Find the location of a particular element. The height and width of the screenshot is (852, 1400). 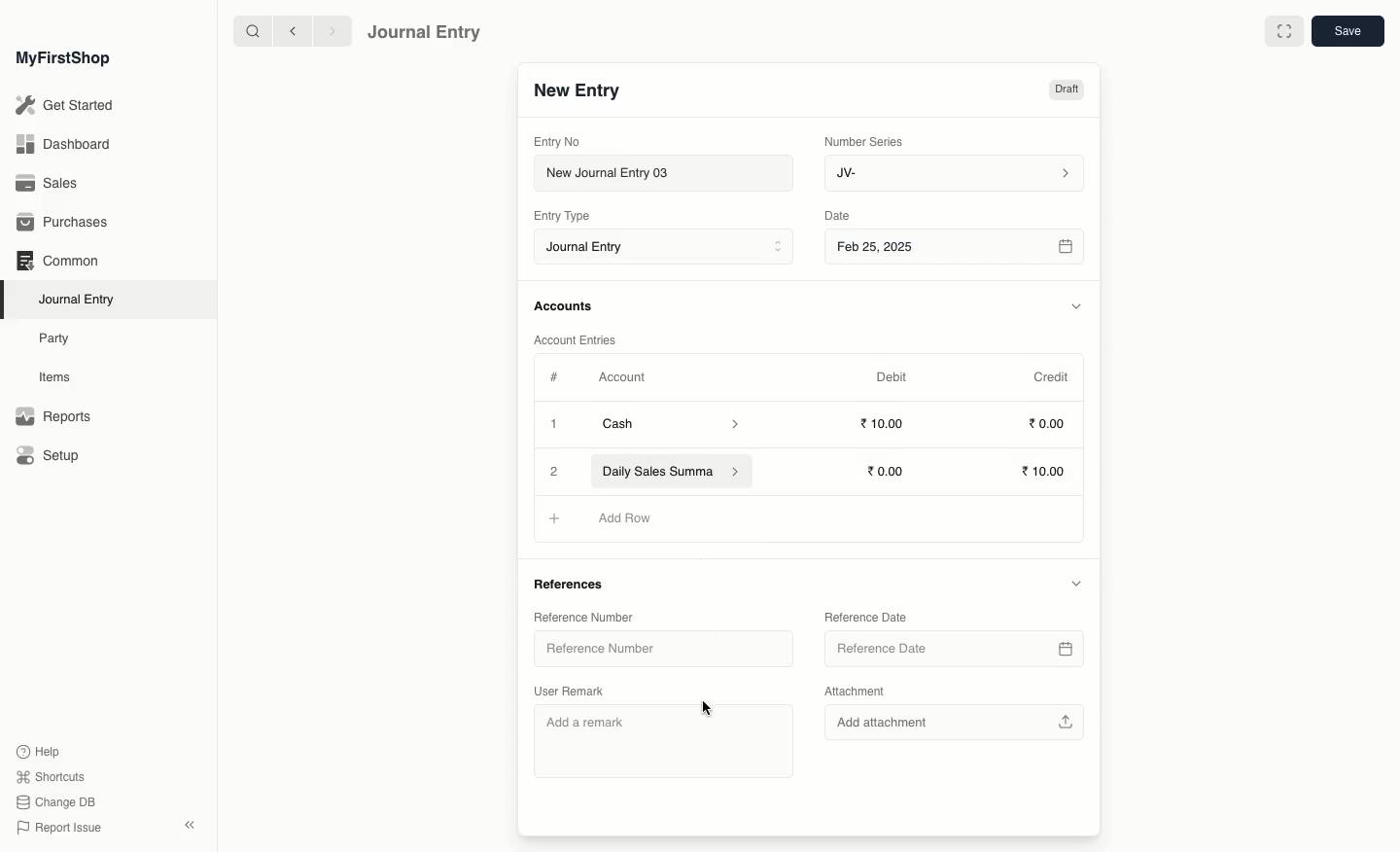

Purchases is located at coordinates (67, 223).